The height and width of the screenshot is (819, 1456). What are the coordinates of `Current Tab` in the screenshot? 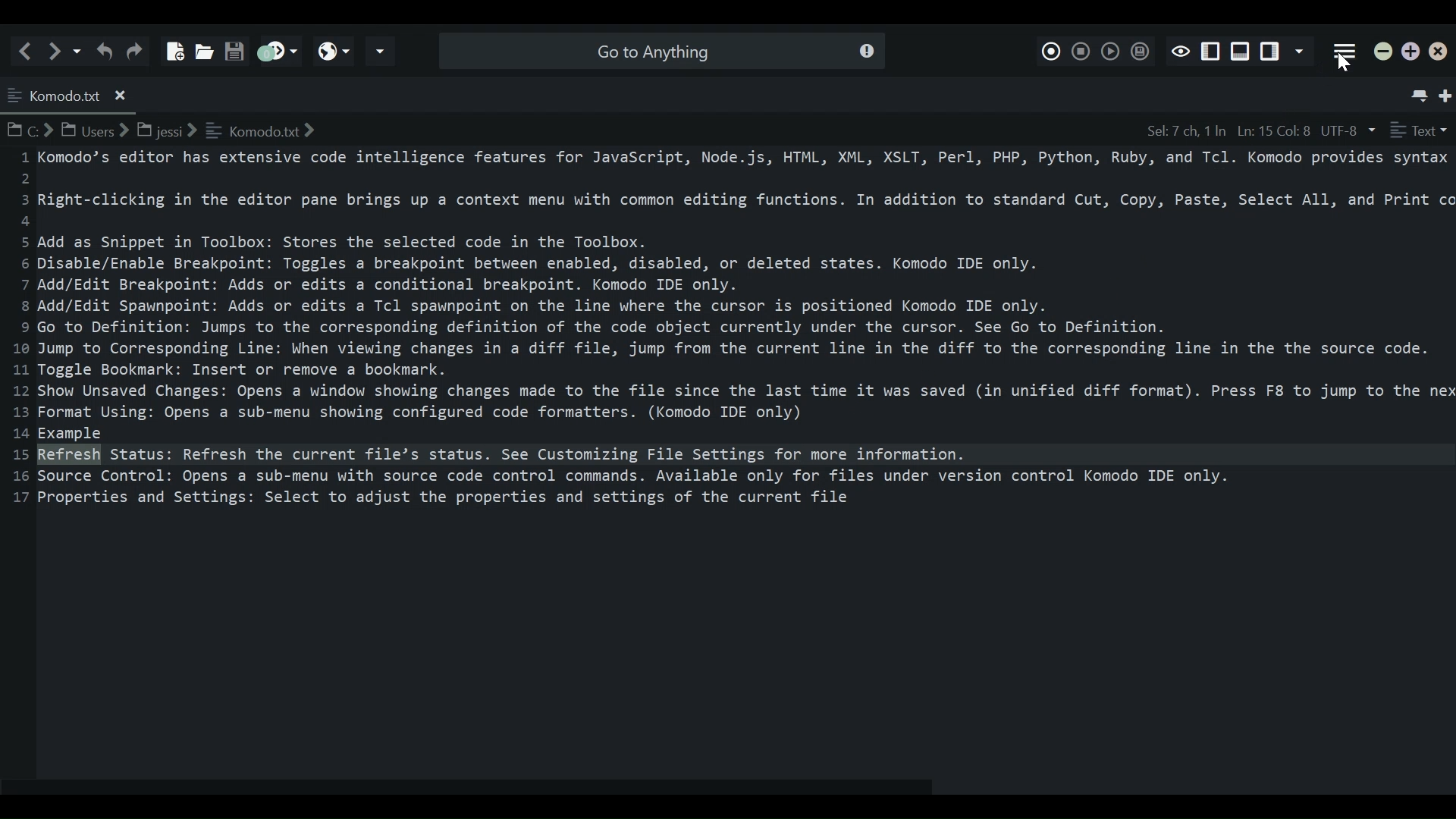 It's located at (70, 93).